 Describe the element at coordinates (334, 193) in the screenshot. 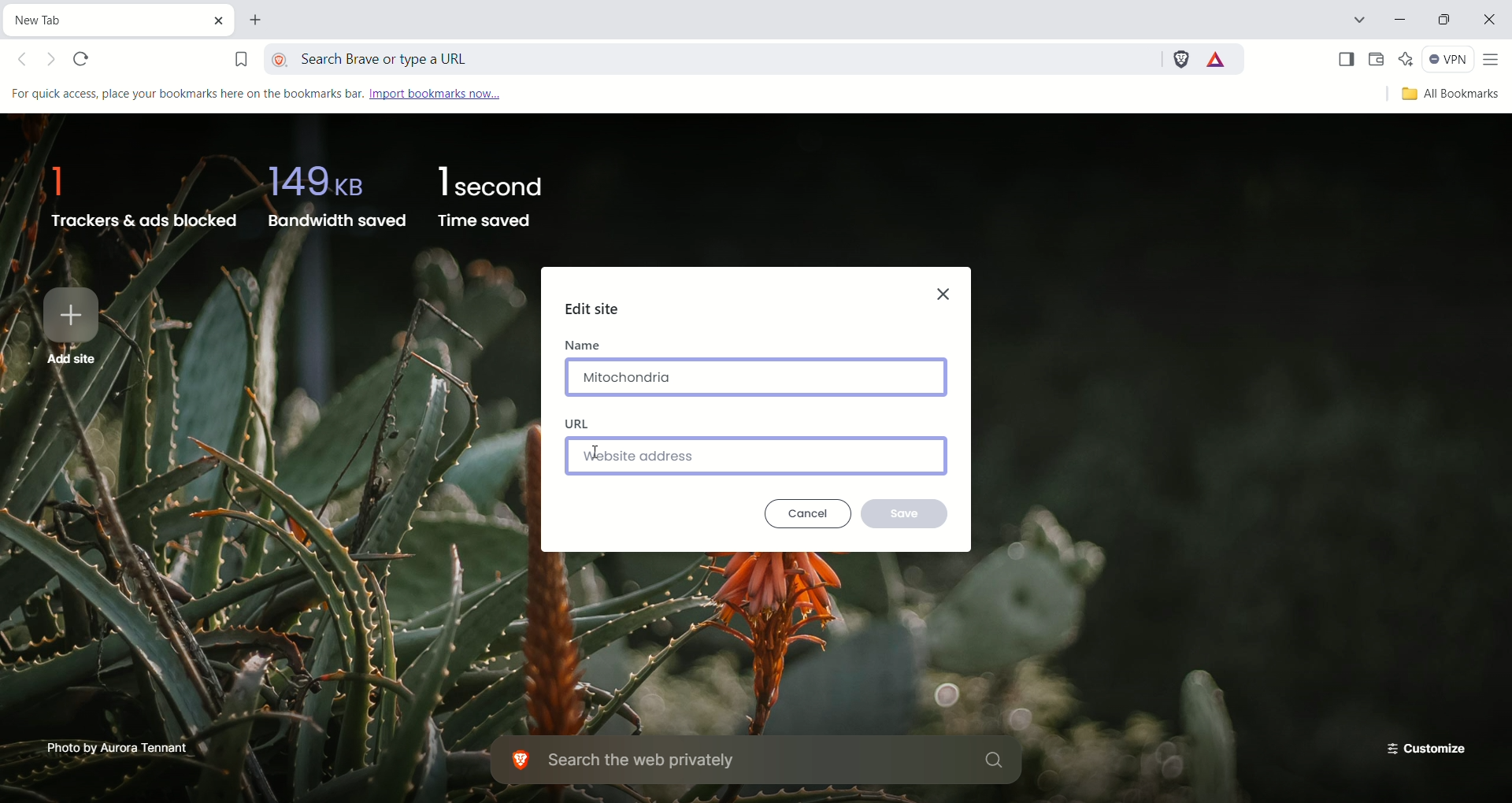

I see `bandwidth saved` at that location.